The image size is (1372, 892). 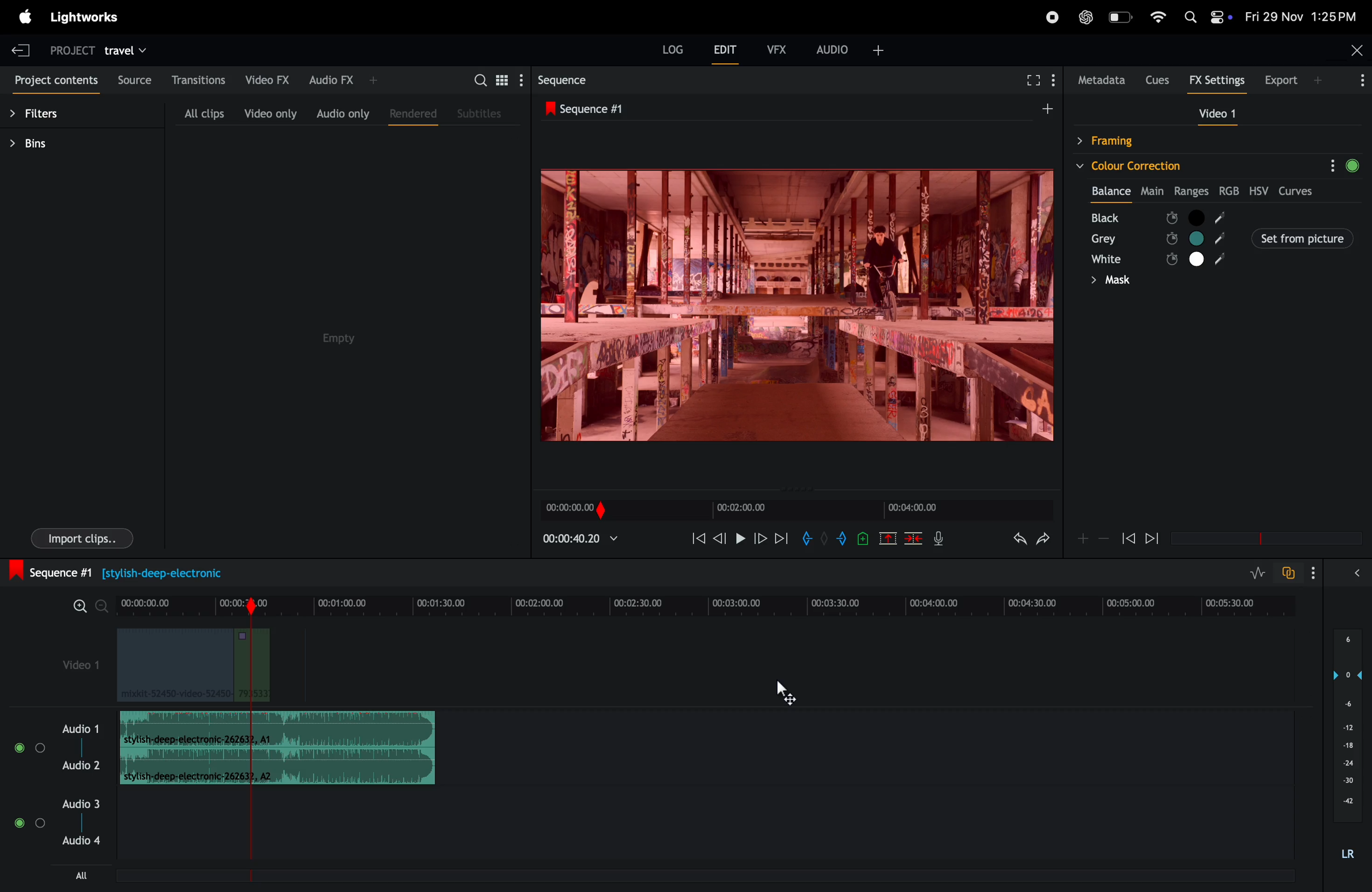 What do you see at coordinates (589, 541) in the screenshot?
I see `playback time` at bounding box center [589, 541].